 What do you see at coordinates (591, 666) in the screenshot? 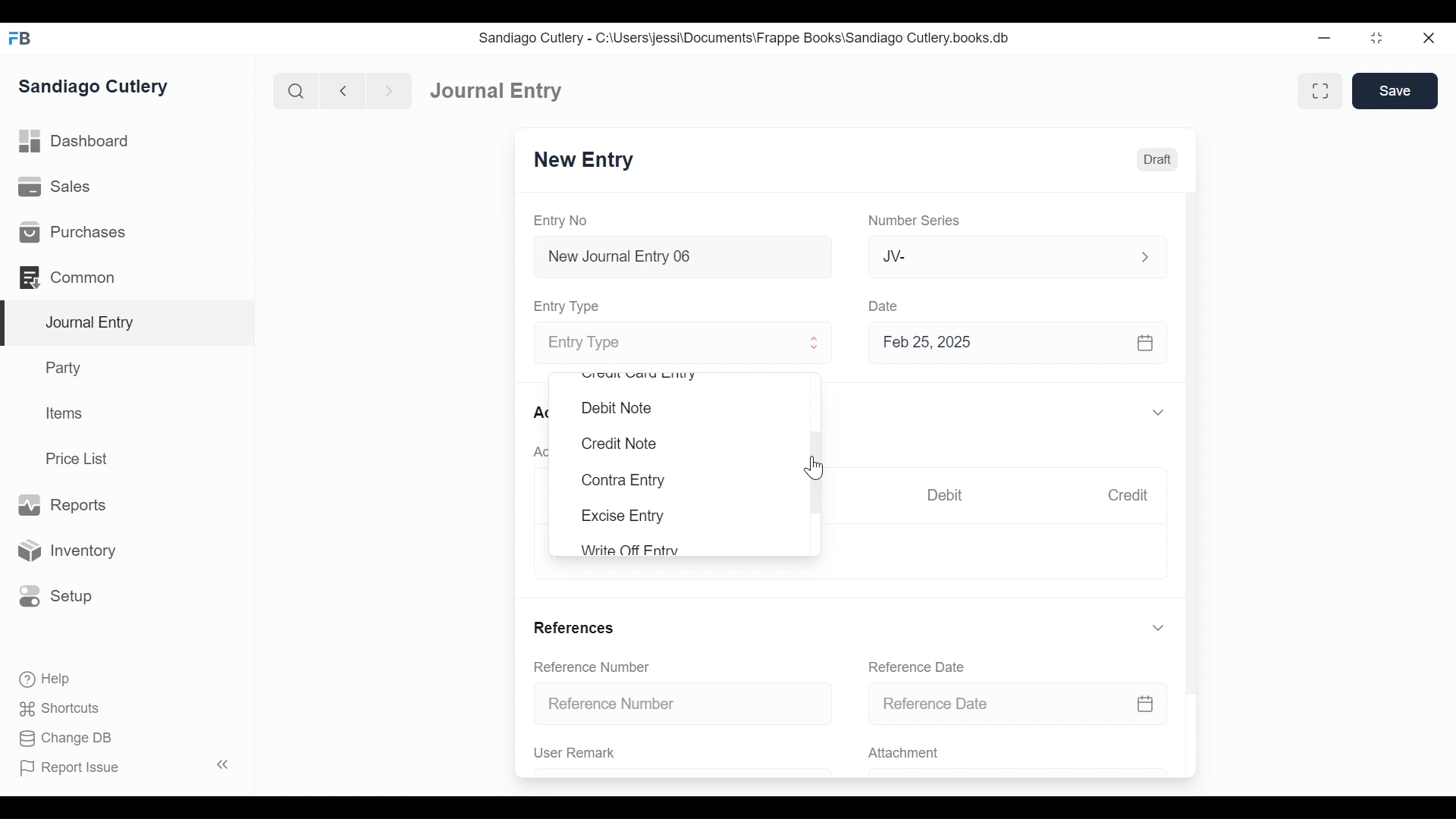
I see `Reference Number` at bounding box center [591, 666].